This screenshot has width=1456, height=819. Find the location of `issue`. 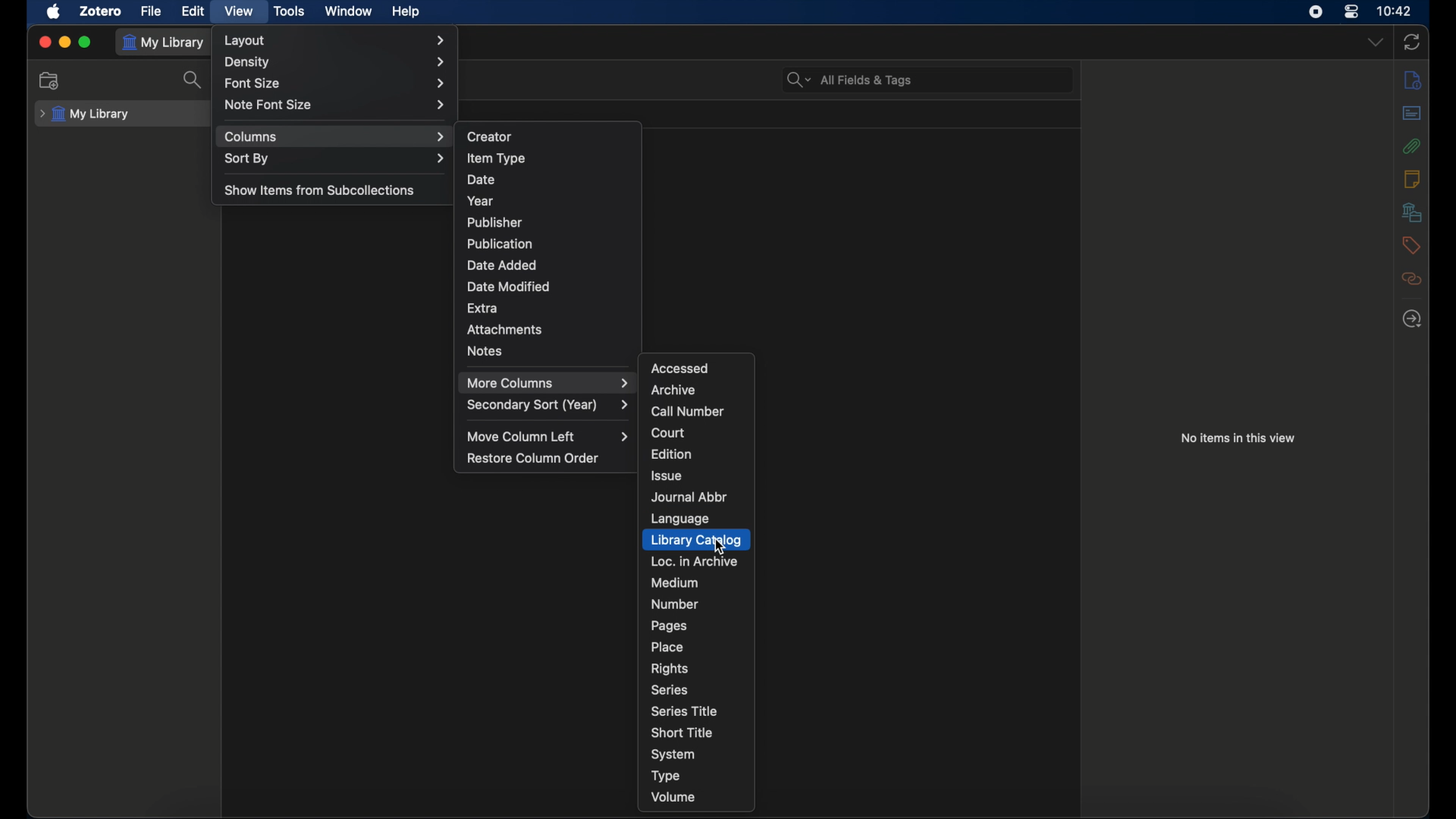

issue is located at coordinates (667, 476).